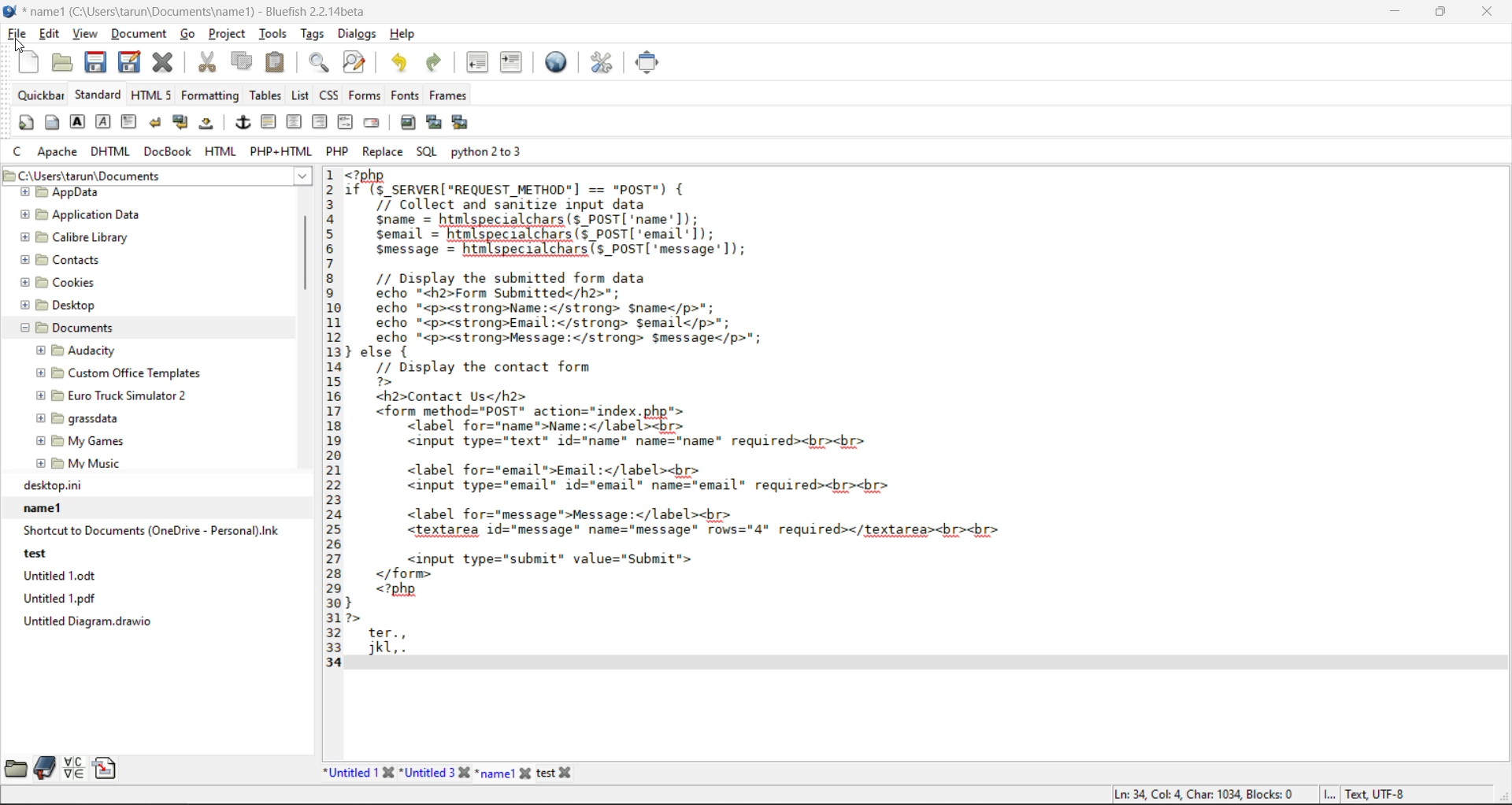 The image size is (1512, 805). Describe the element at coordinates (154, 176) in the screenshot. I see `file path` at that location.